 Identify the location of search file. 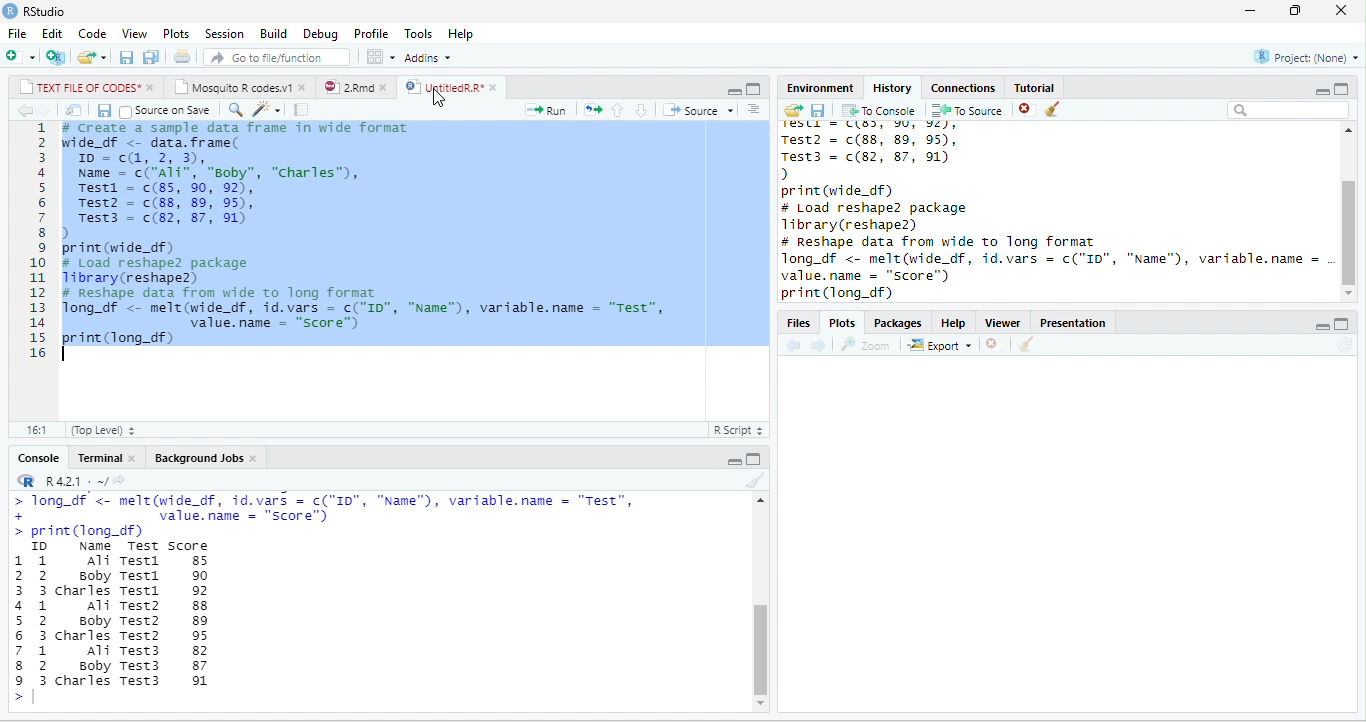
(276, 57).